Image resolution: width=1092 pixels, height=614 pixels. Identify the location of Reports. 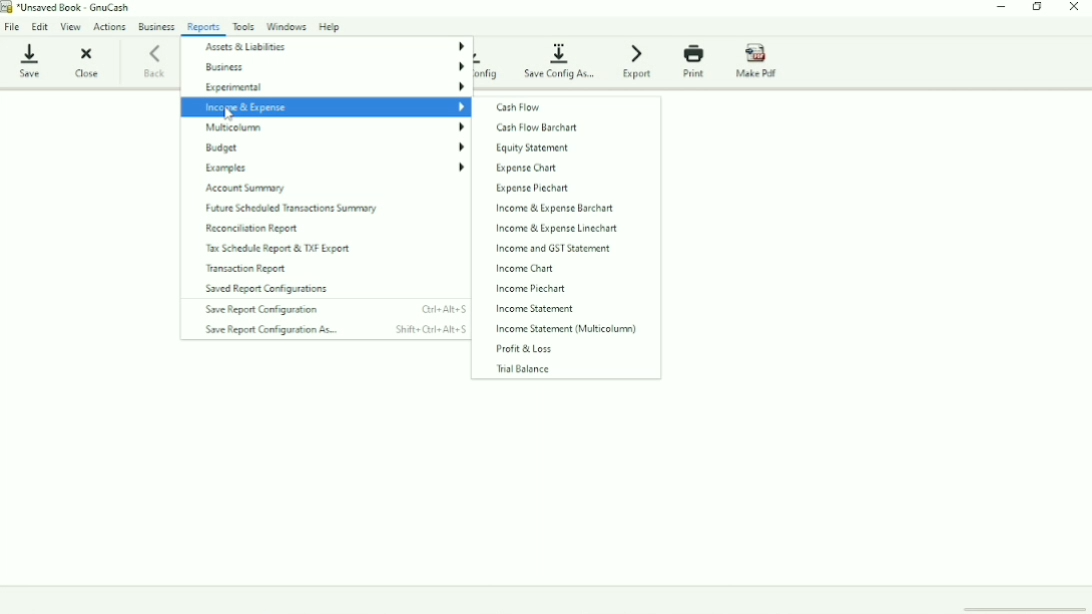
(204, 27).